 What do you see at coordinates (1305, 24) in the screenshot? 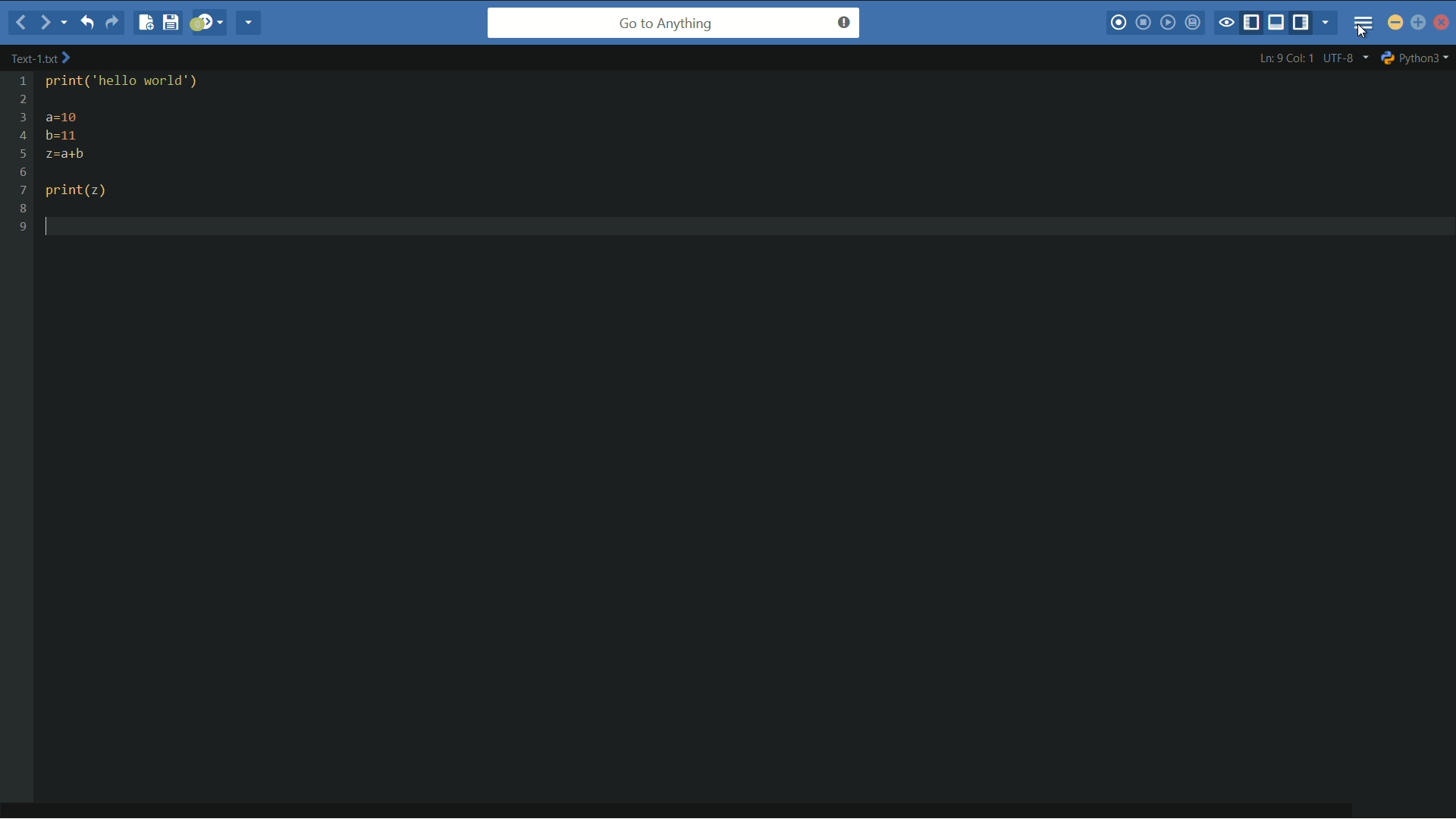
I see `show/hide right pane` at bounding box center [1305, 24].